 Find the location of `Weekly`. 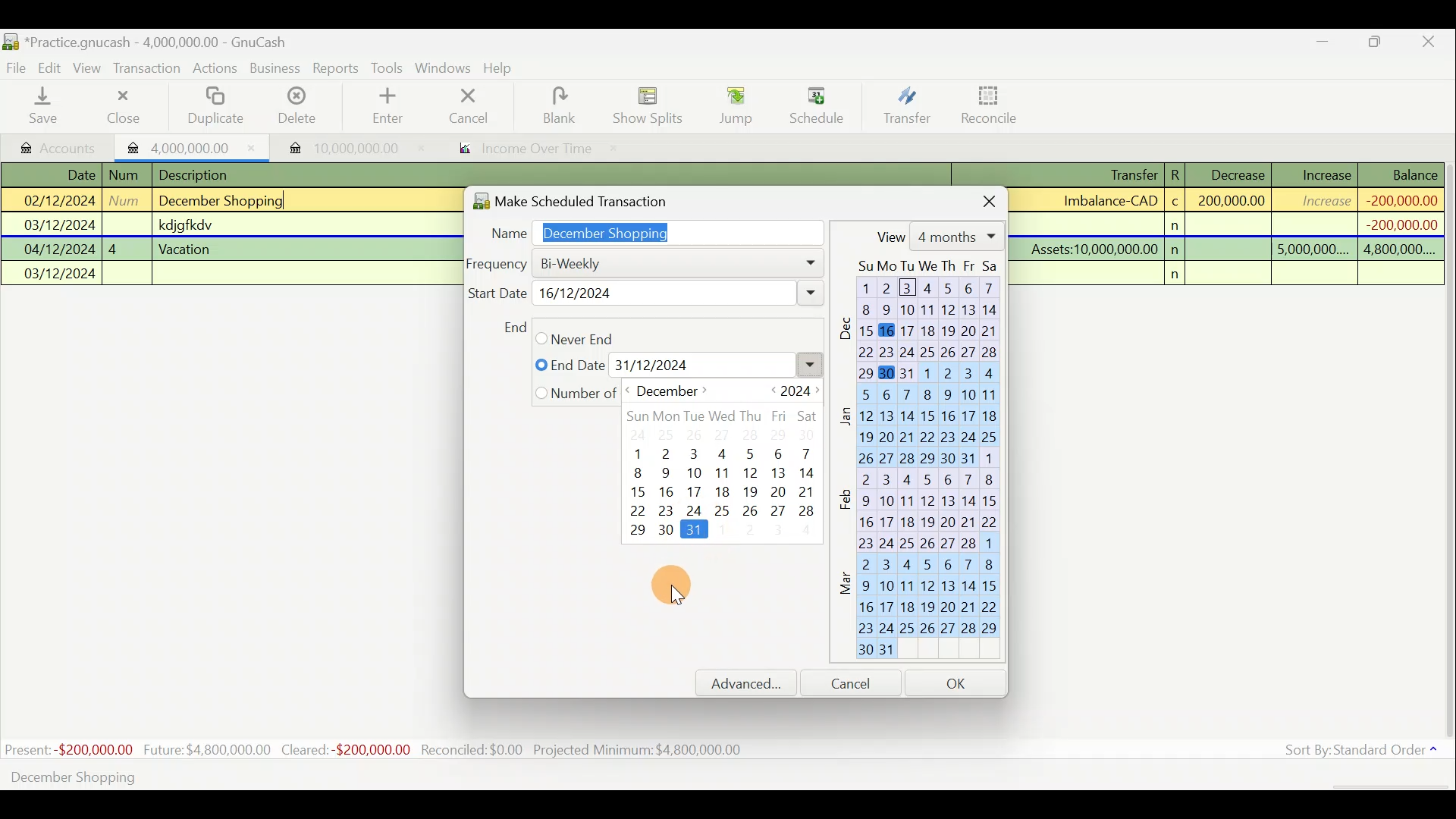

Weekly is located at coordinates (583, 293).